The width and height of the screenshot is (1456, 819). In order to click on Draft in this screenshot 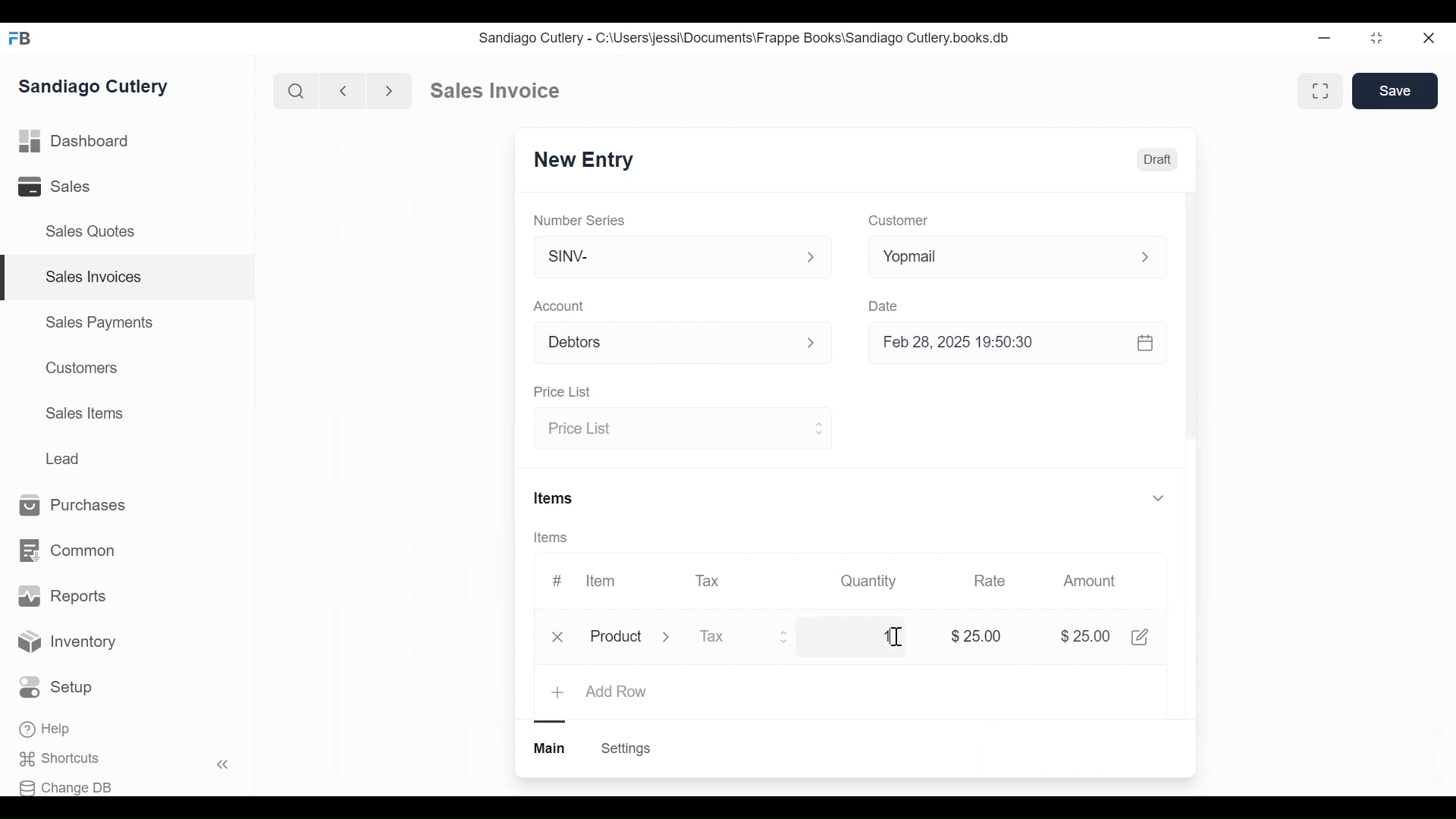, I will do `click(1156, 159)`.